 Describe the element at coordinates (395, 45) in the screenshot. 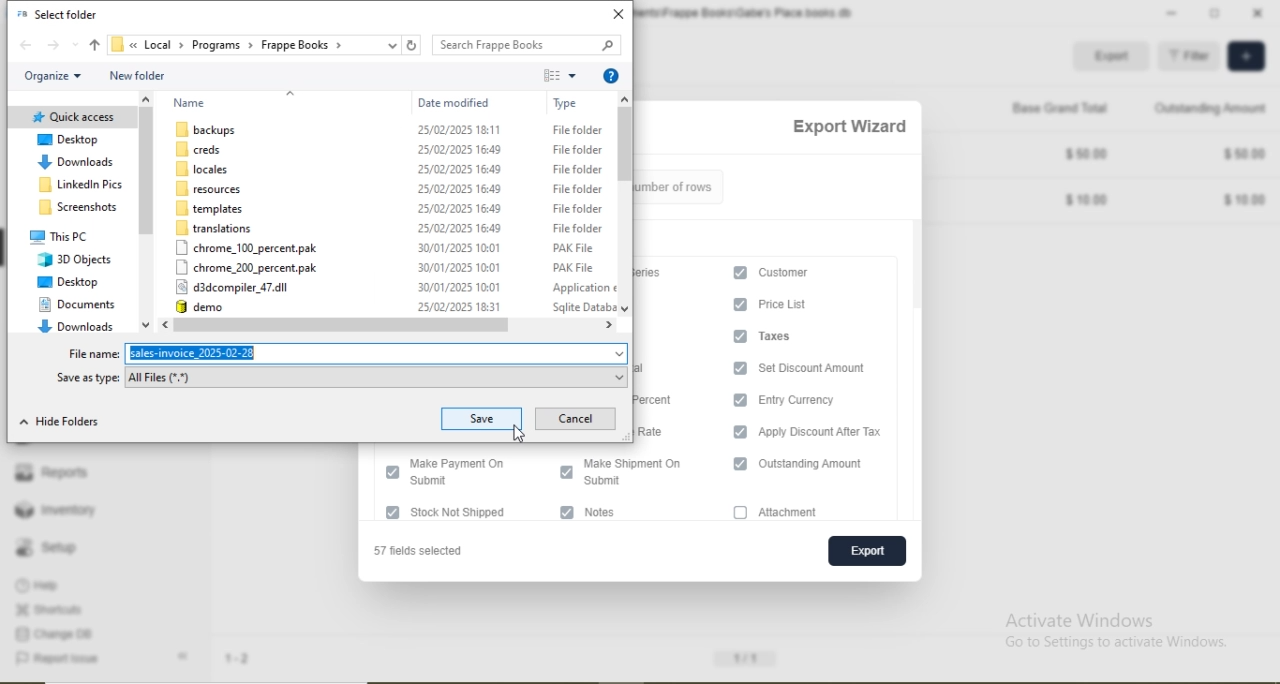

I see `dropdown` at that location.